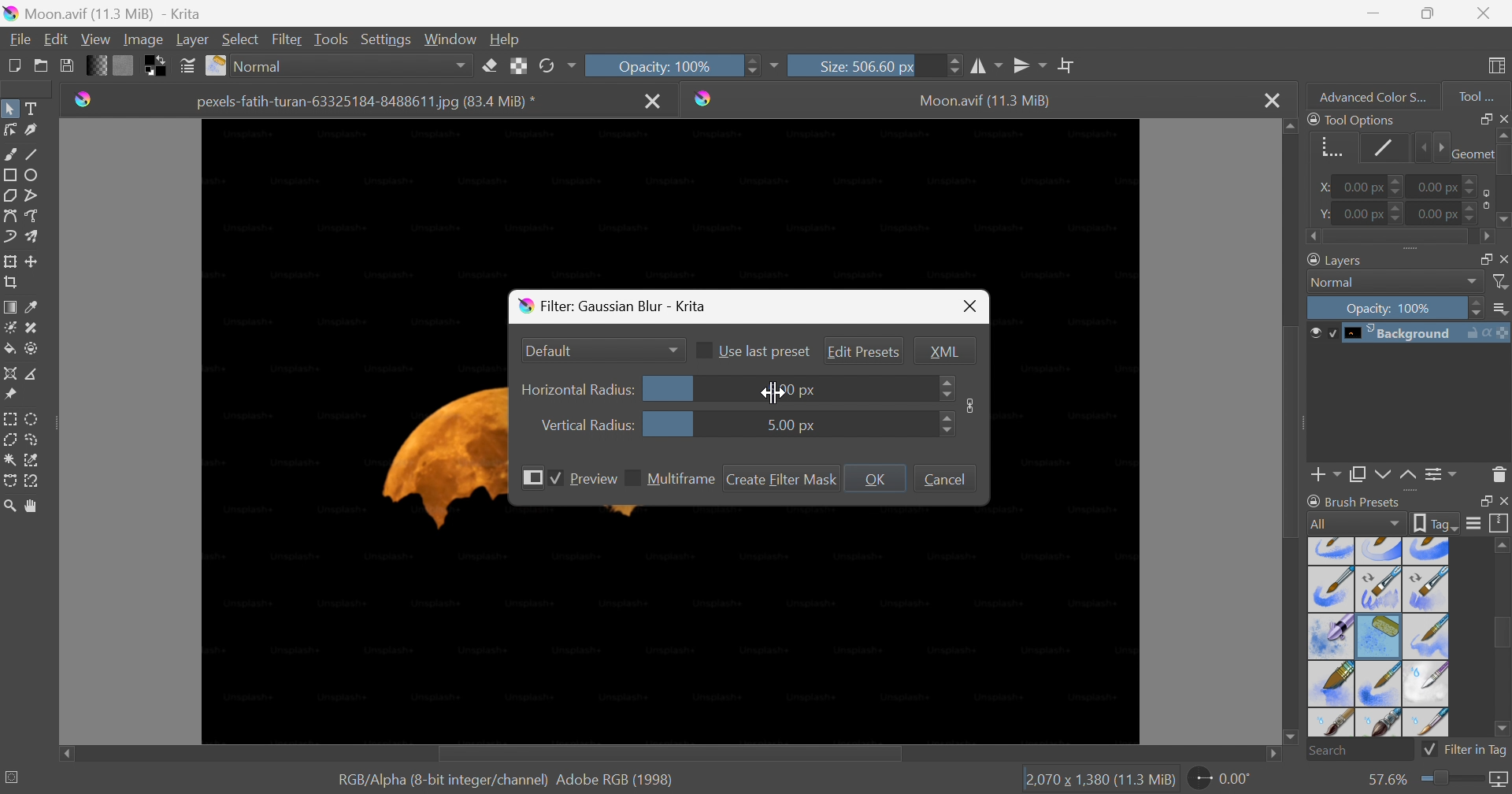  What do you see at coordinates (21, 40) in the screenshot?
I see `File` at bounding box center [21, 40].